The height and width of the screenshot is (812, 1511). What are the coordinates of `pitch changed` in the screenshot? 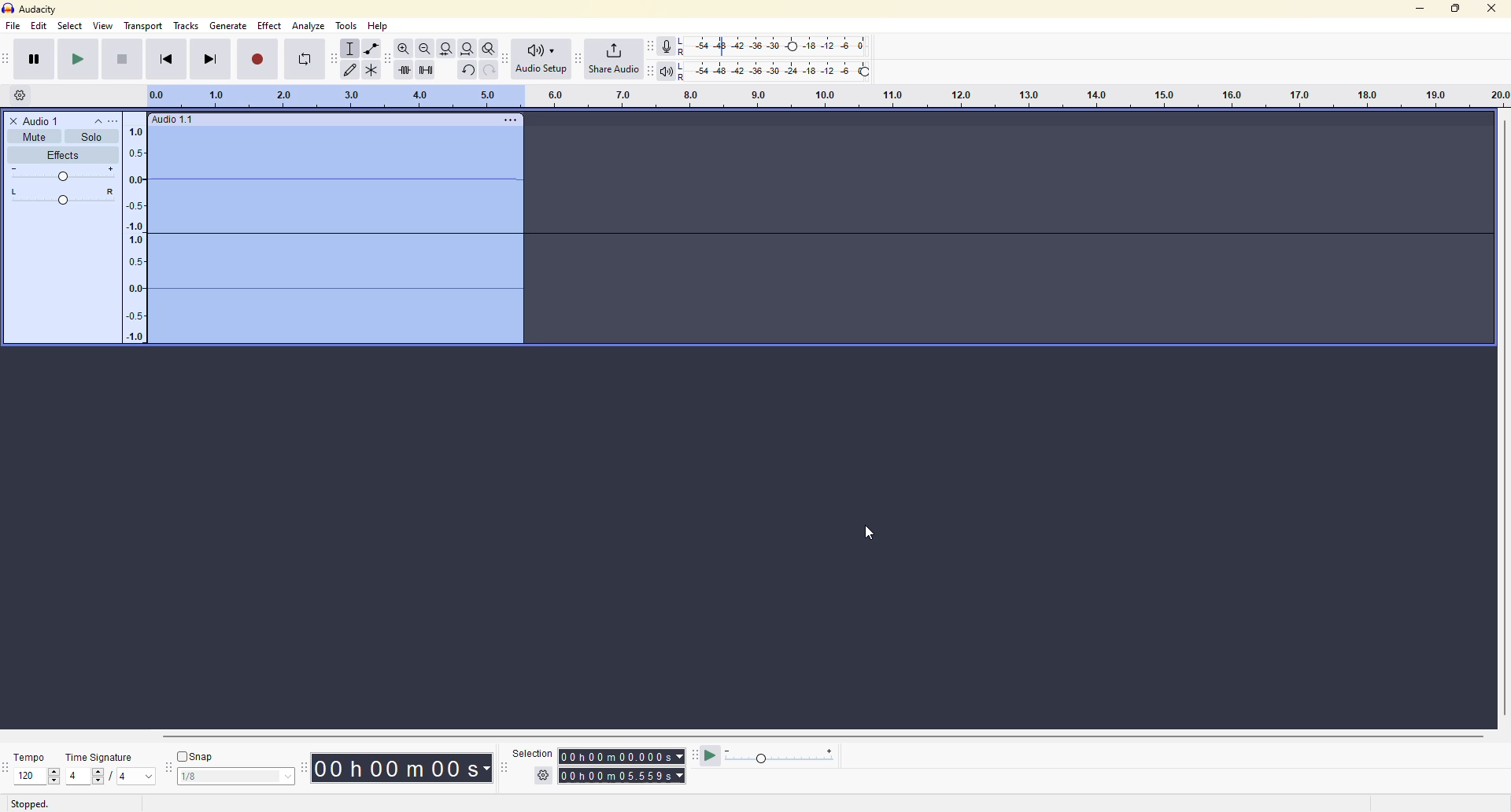 It's located at (323, 238).